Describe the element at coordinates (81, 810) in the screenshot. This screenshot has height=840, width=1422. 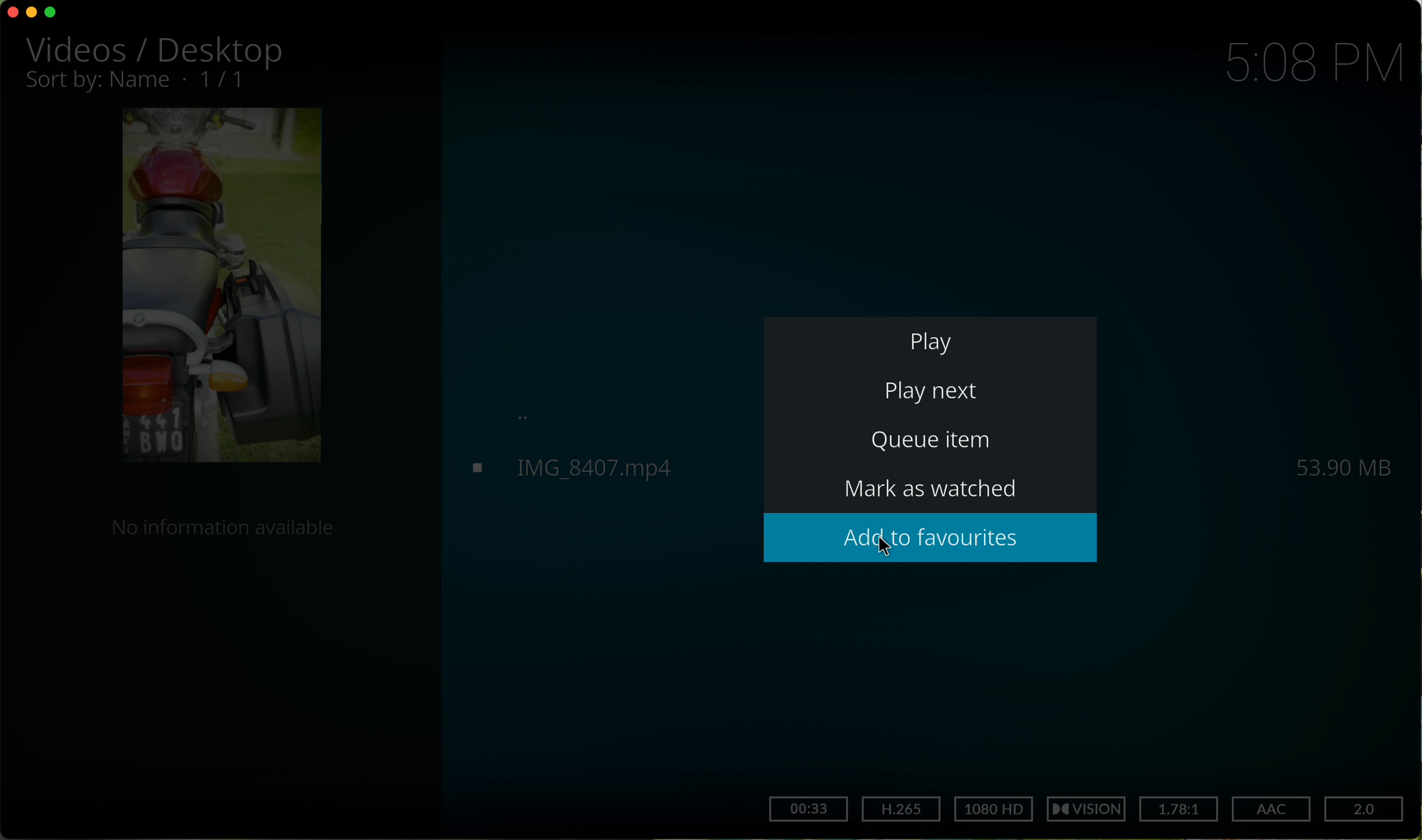
I see `options` at that location.